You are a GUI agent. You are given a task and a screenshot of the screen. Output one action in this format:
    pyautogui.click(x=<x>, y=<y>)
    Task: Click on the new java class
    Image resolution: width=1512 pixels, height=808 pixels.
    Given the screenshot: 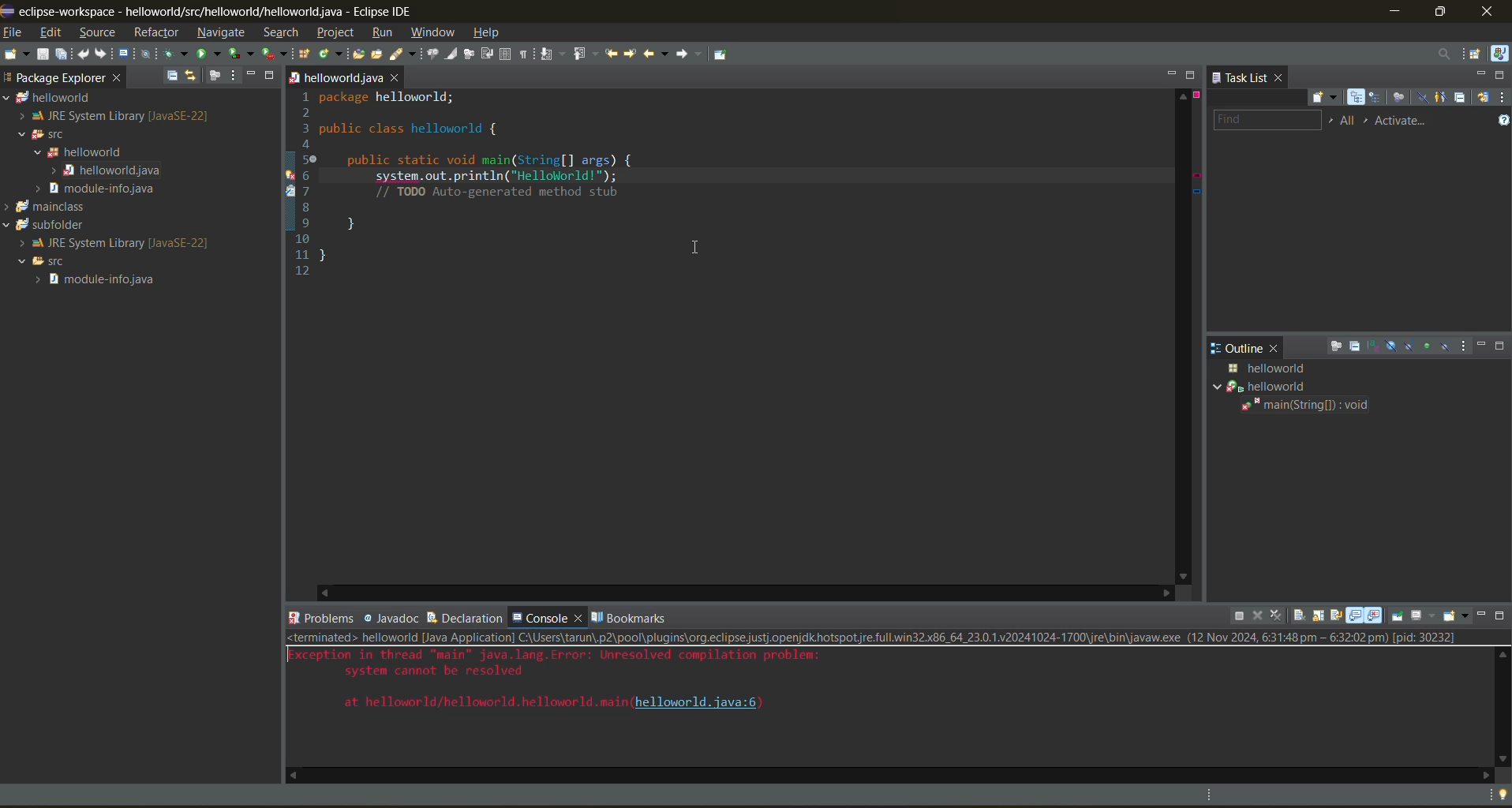 What is the action you would take?
    pyautogui.click(x=331, y=55)
    